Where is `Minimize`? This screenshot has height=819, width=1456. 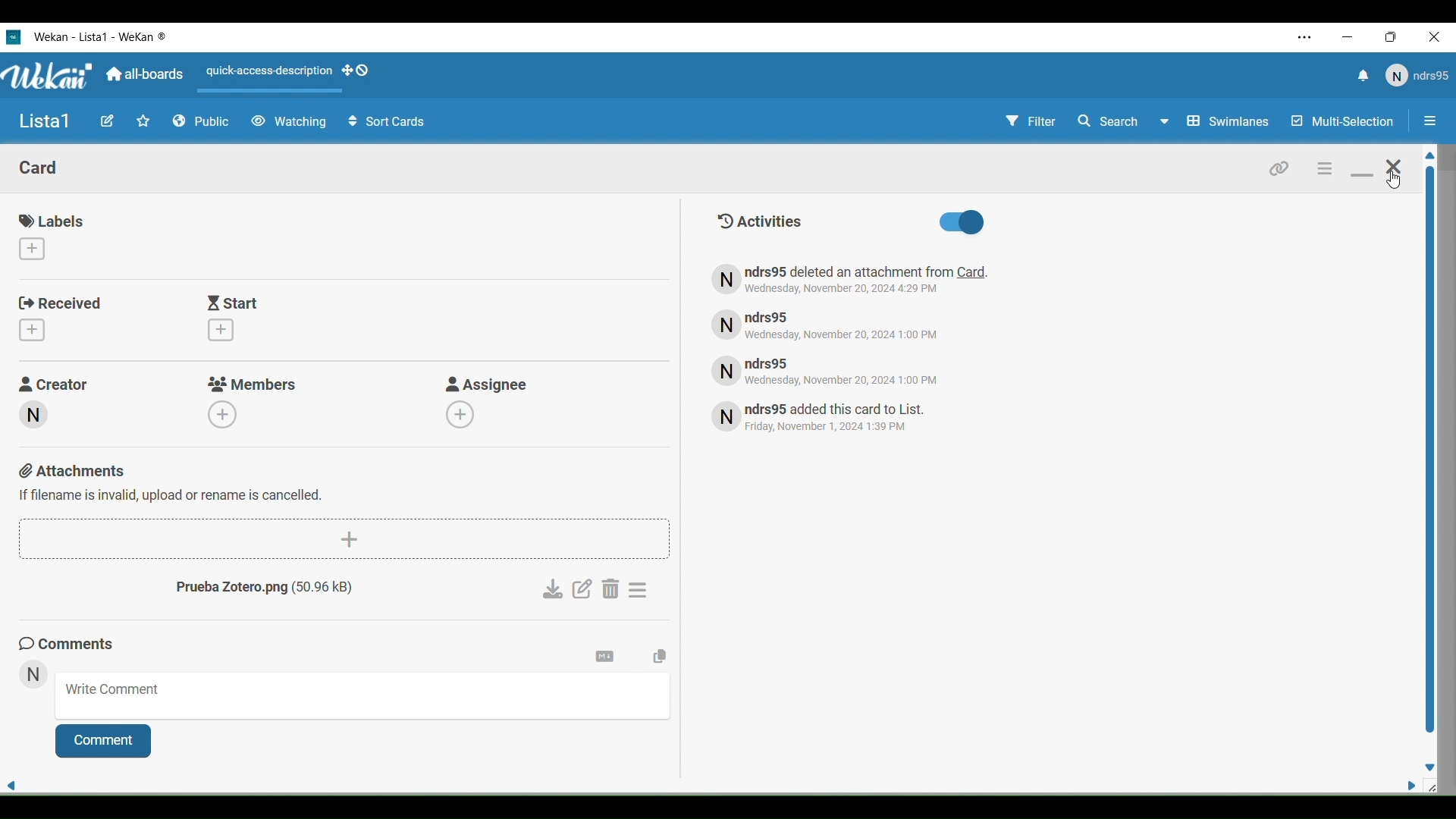
Minimize is located at coordinates (1349, 37).